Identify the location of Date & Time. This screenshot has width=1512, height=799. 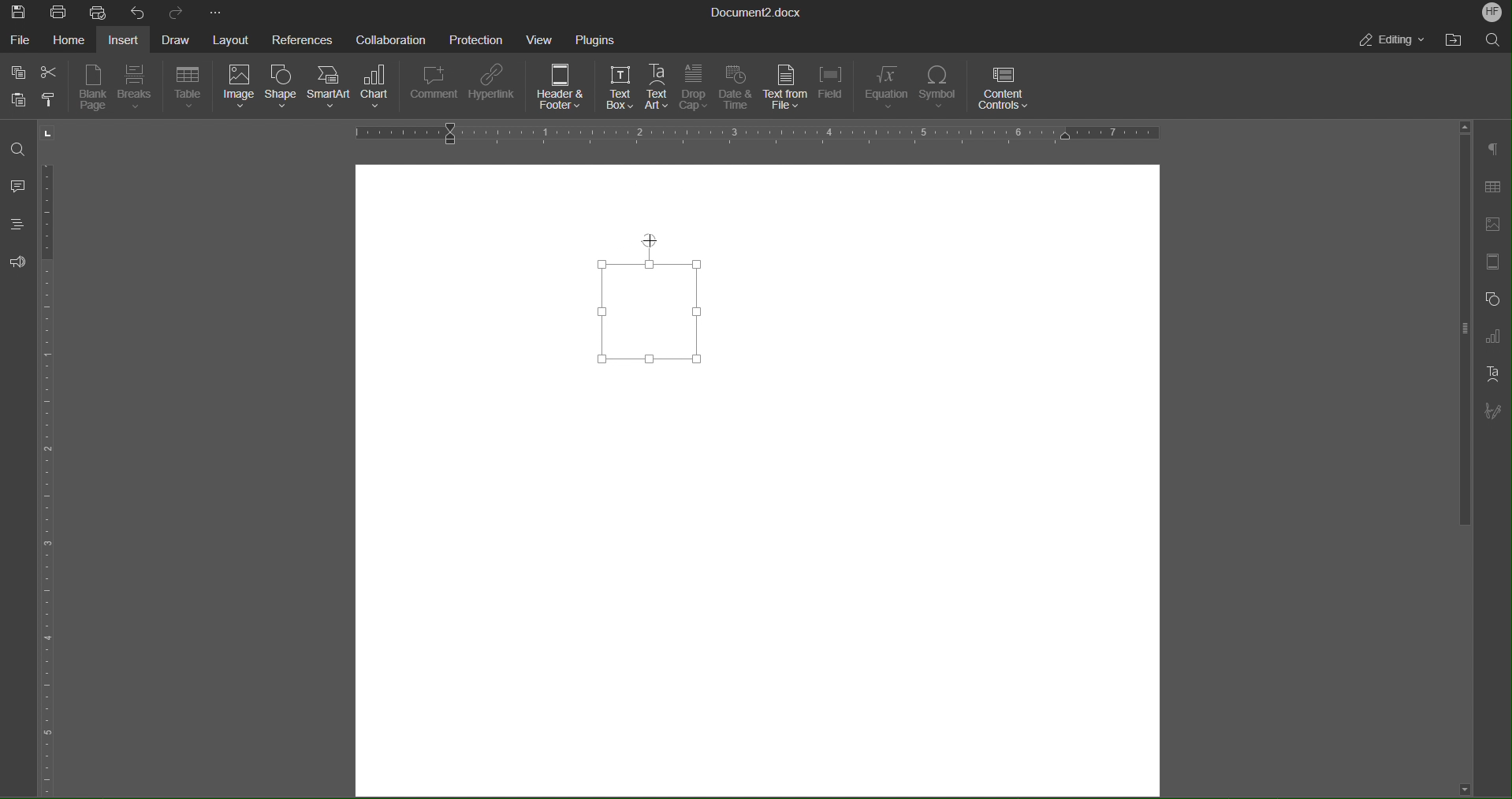
(736, 88).